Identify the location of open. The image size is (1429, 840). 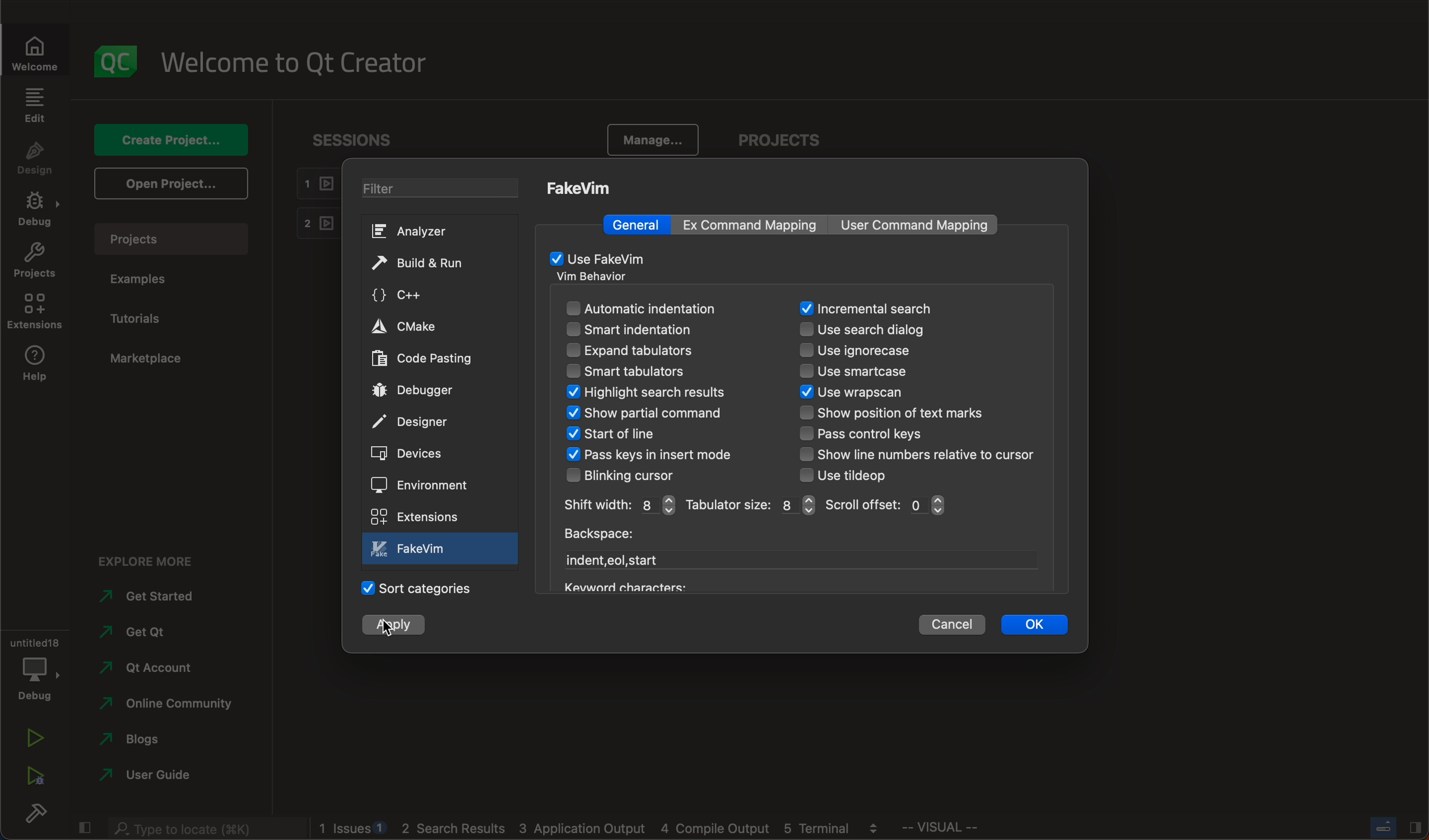
(173, 183).